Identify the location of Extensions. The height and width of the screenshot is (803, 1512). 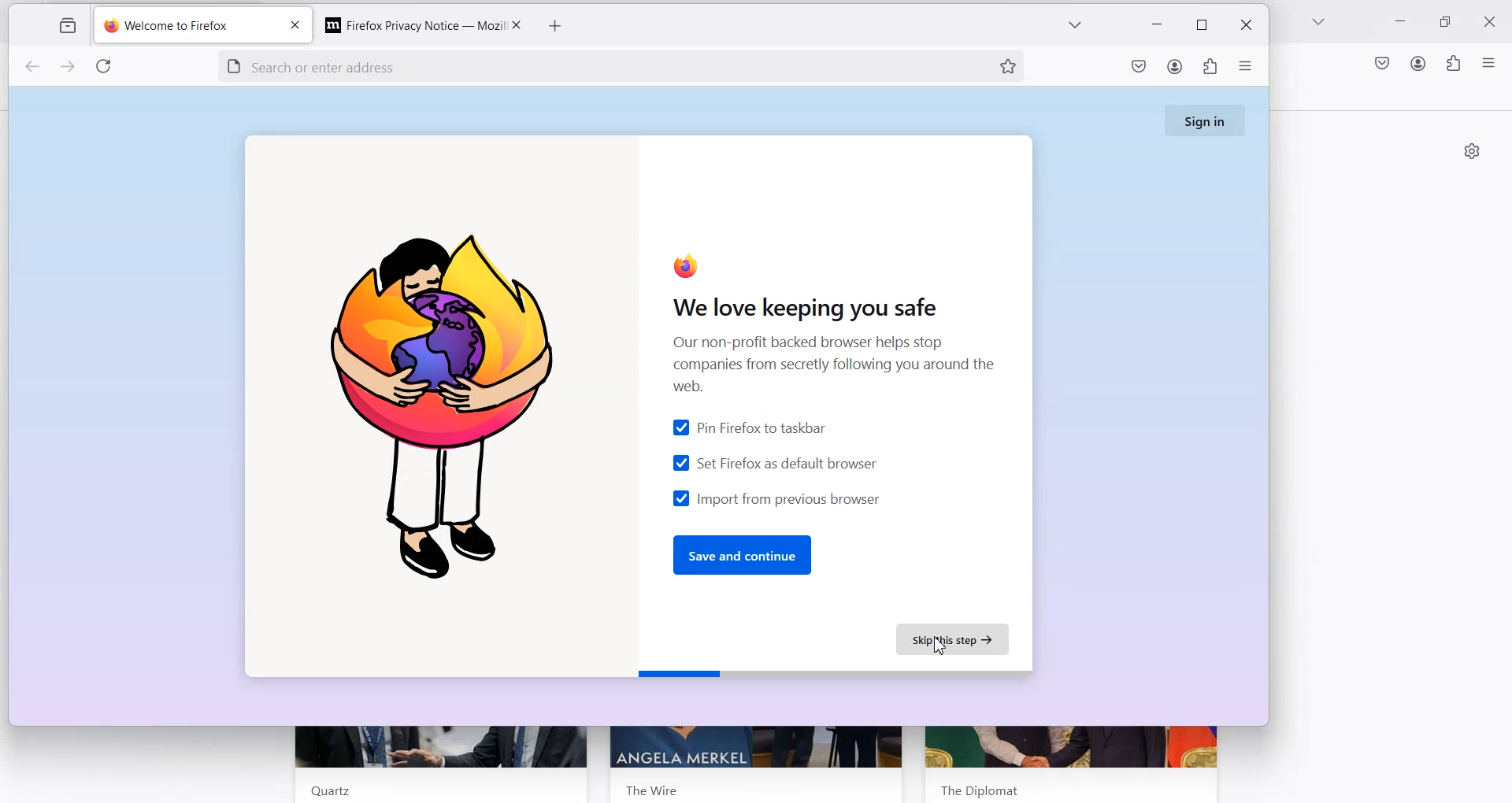
(1453, 64).